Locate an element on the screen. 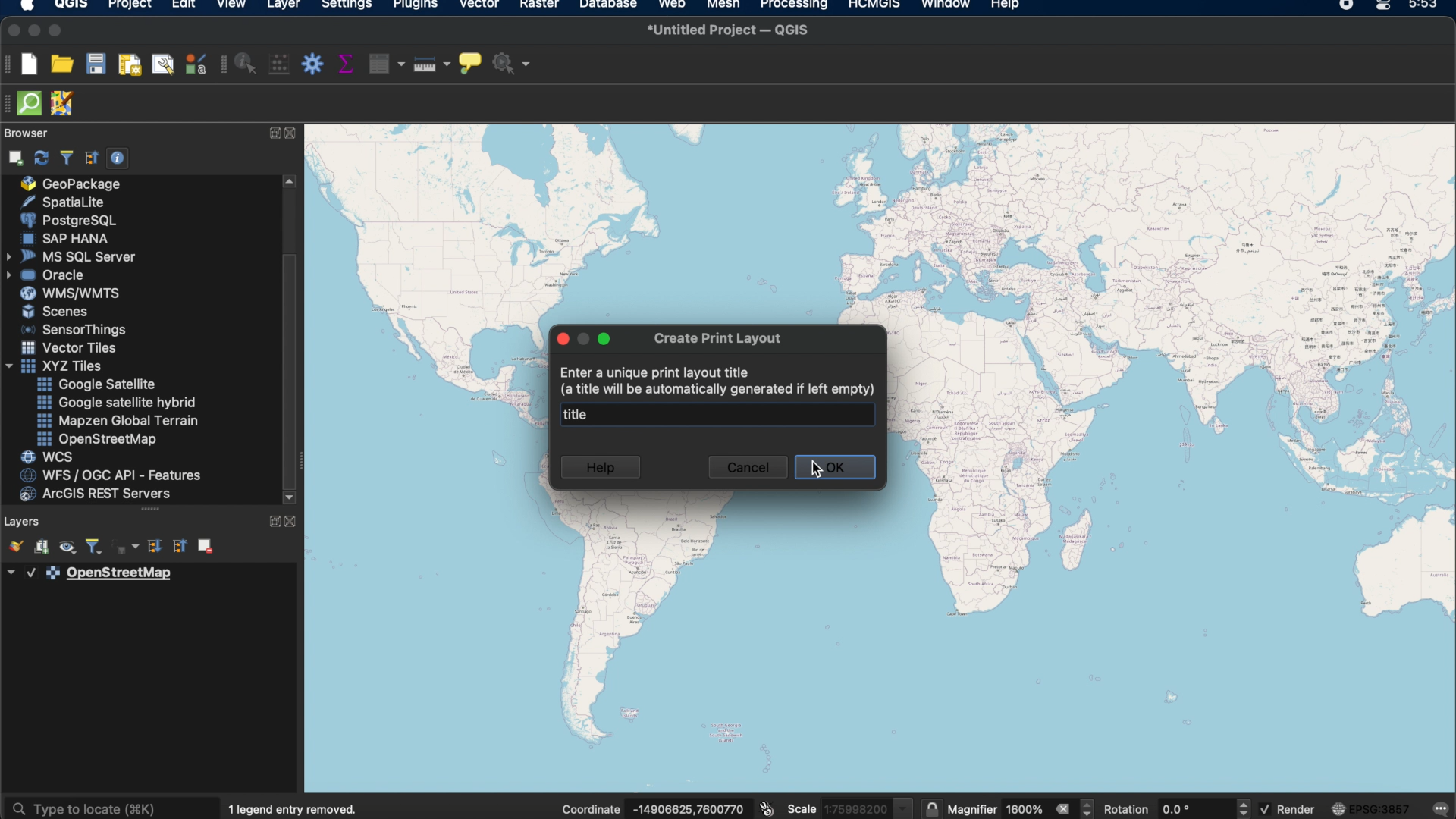 This screenshot has height=819, width=1456. time is located at coordinates (1429, 7).